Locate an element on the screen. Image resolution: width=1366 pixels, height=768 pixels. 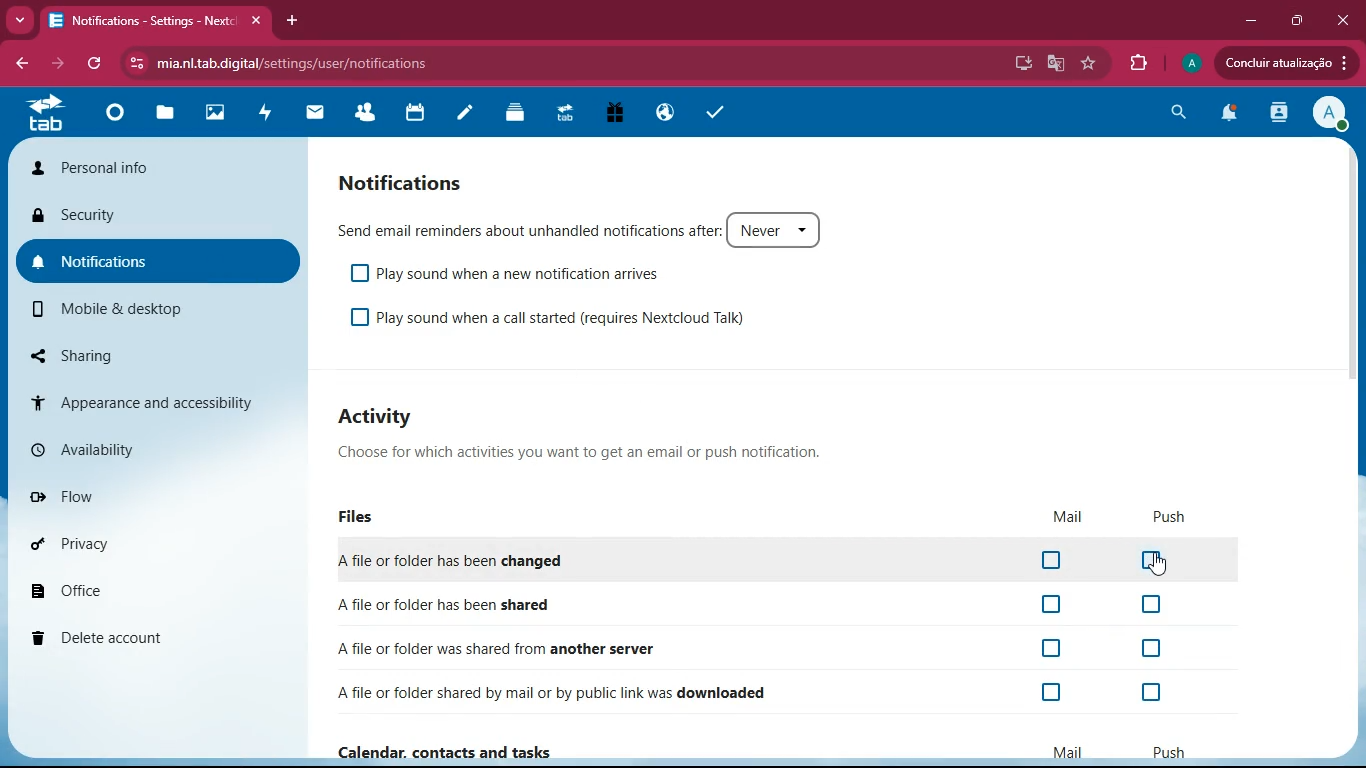
off is located at coordinates (1151, 648).